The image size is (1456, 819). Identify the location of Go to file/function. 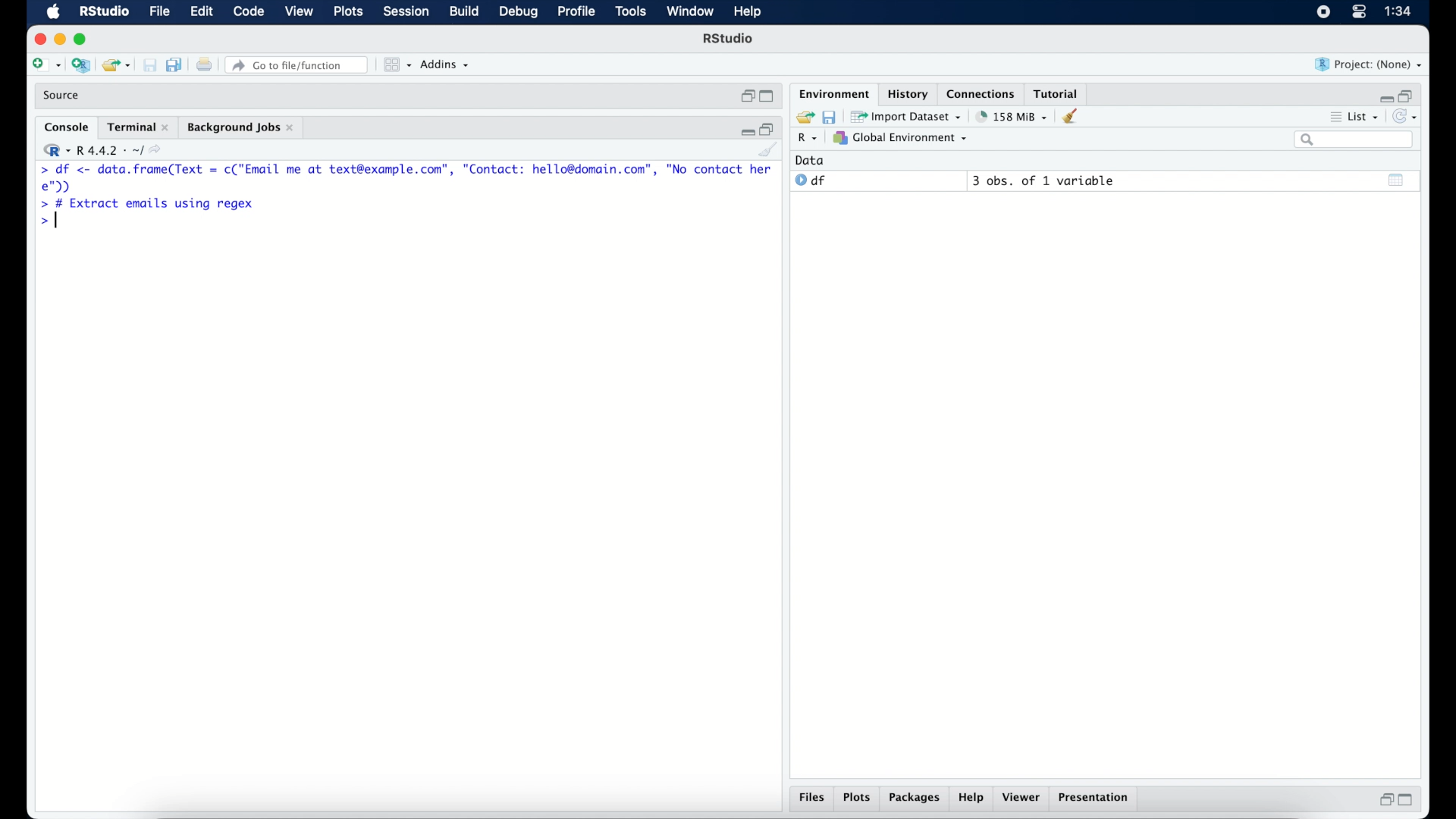
(297, 64).